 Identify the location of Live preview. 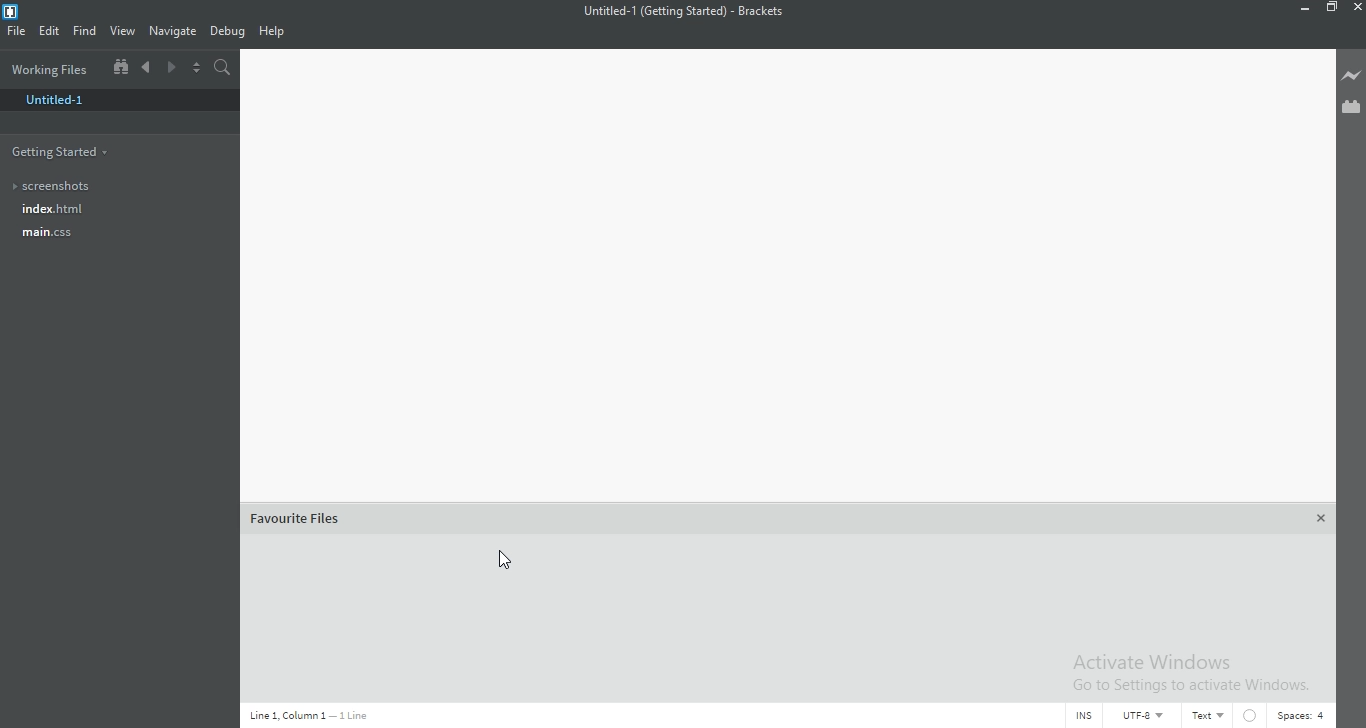
(1347, 76).